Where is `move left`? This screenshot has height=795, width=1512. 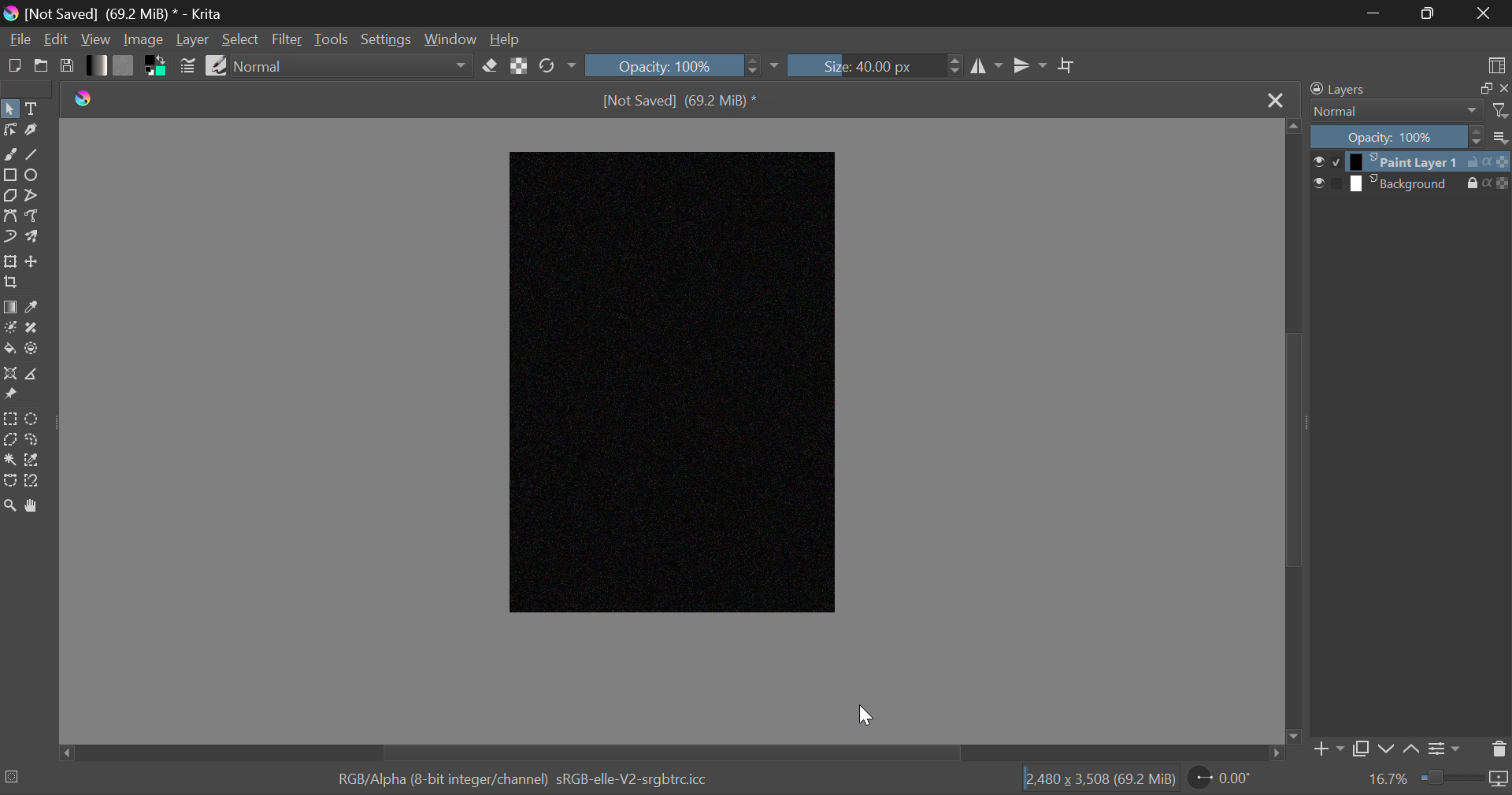
move left is located at coordinates (63, 754).